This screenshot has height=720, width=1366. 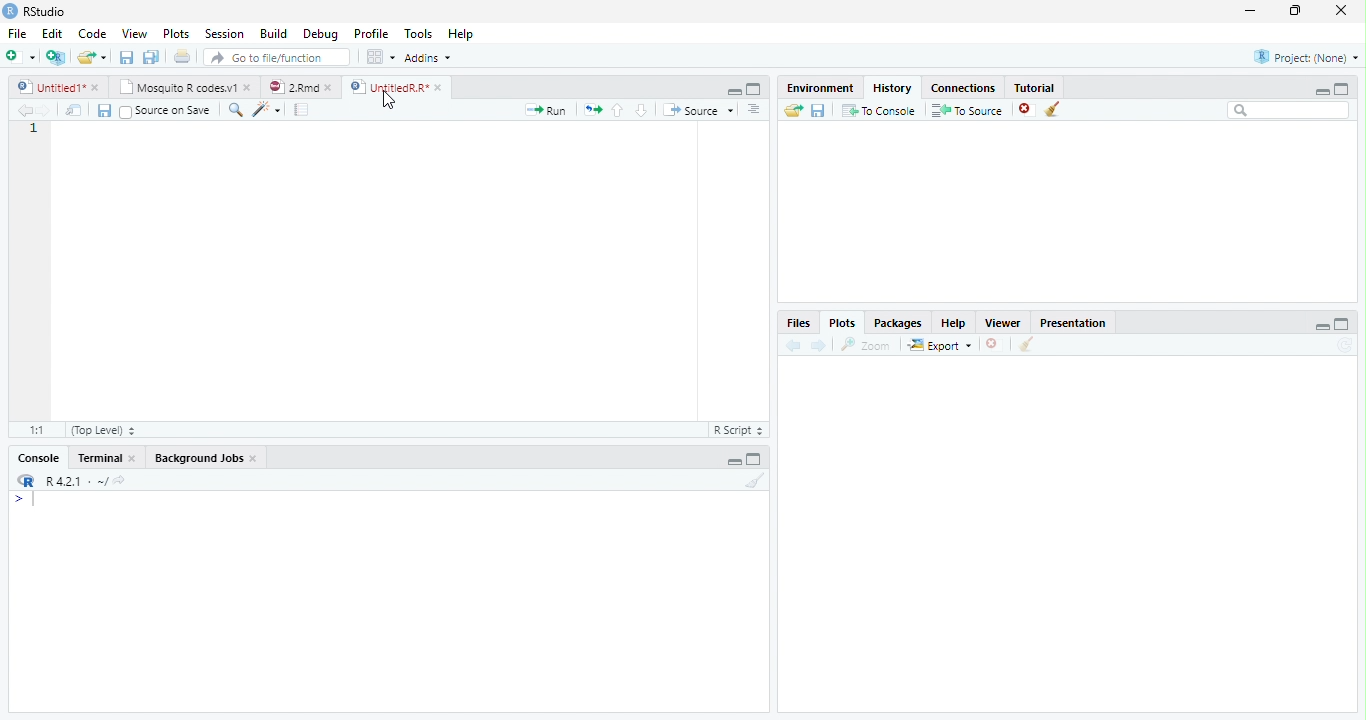 What do you see at coordinates (430, 60) in the screenshot?
I see `Addins` at bounding box center [430, 60].